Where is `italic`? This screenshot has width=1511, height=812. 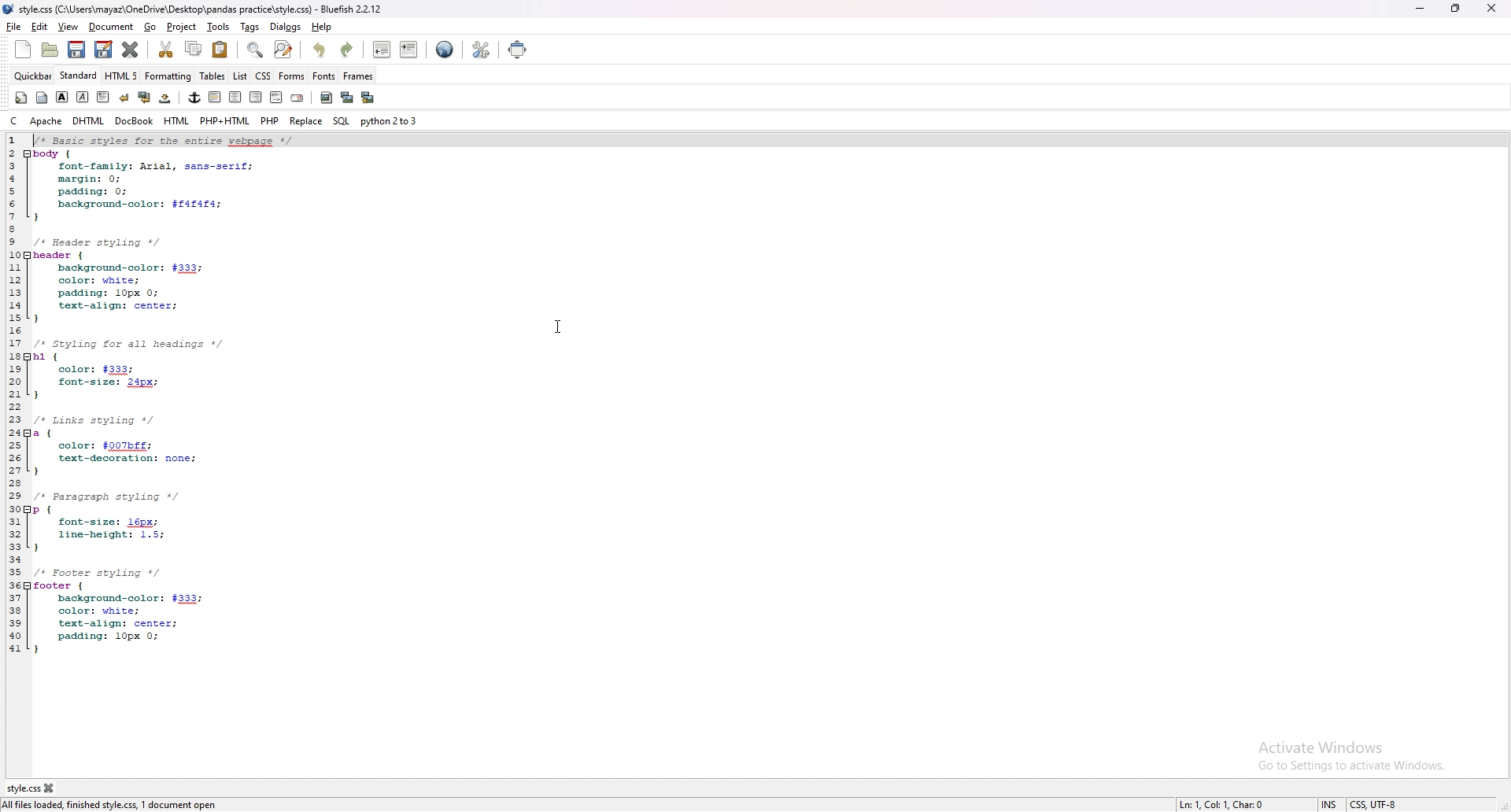
italic is located at coordinates (83, 98).